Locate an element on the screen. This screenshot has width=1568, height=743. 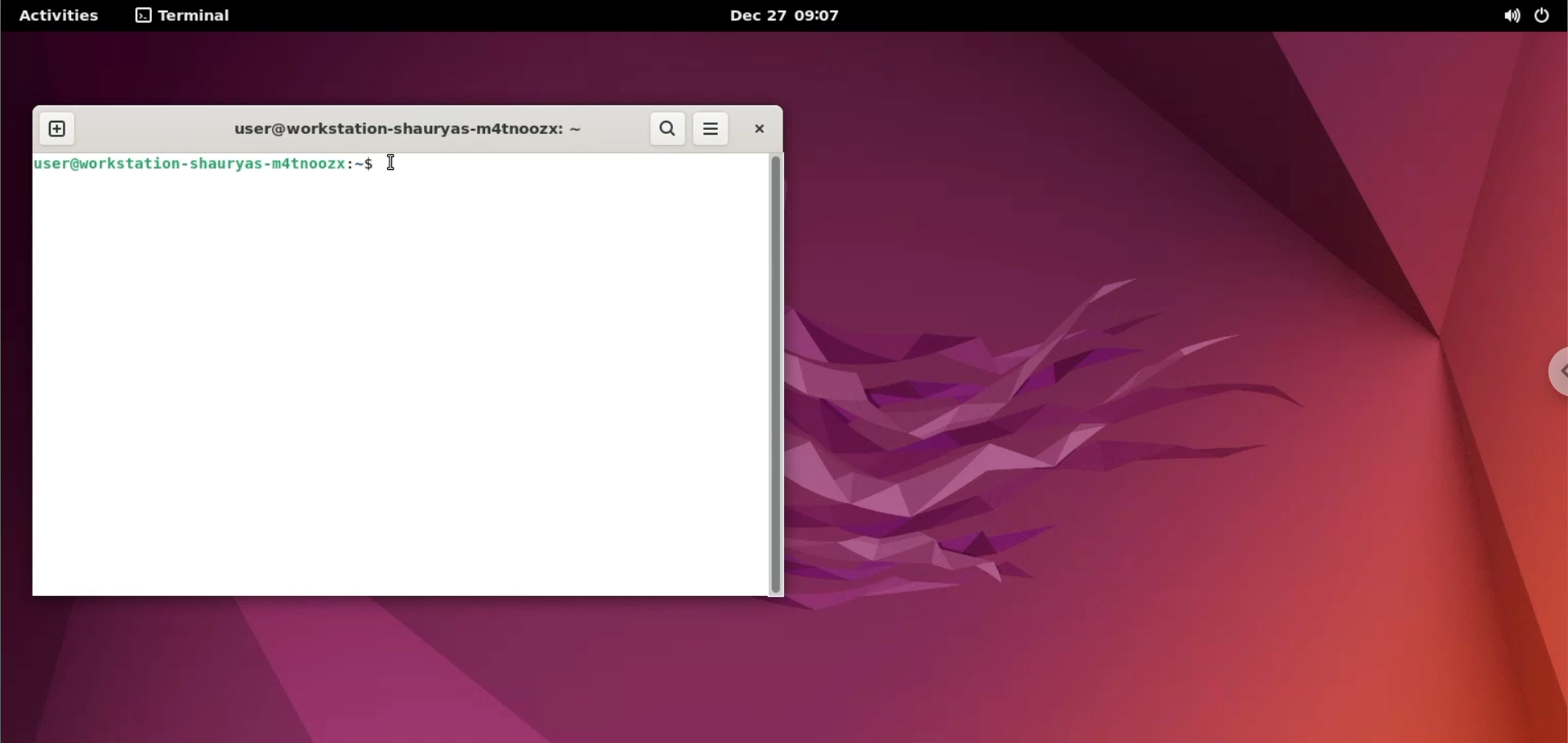
terminal navigation is located at coordinates (194, 17).